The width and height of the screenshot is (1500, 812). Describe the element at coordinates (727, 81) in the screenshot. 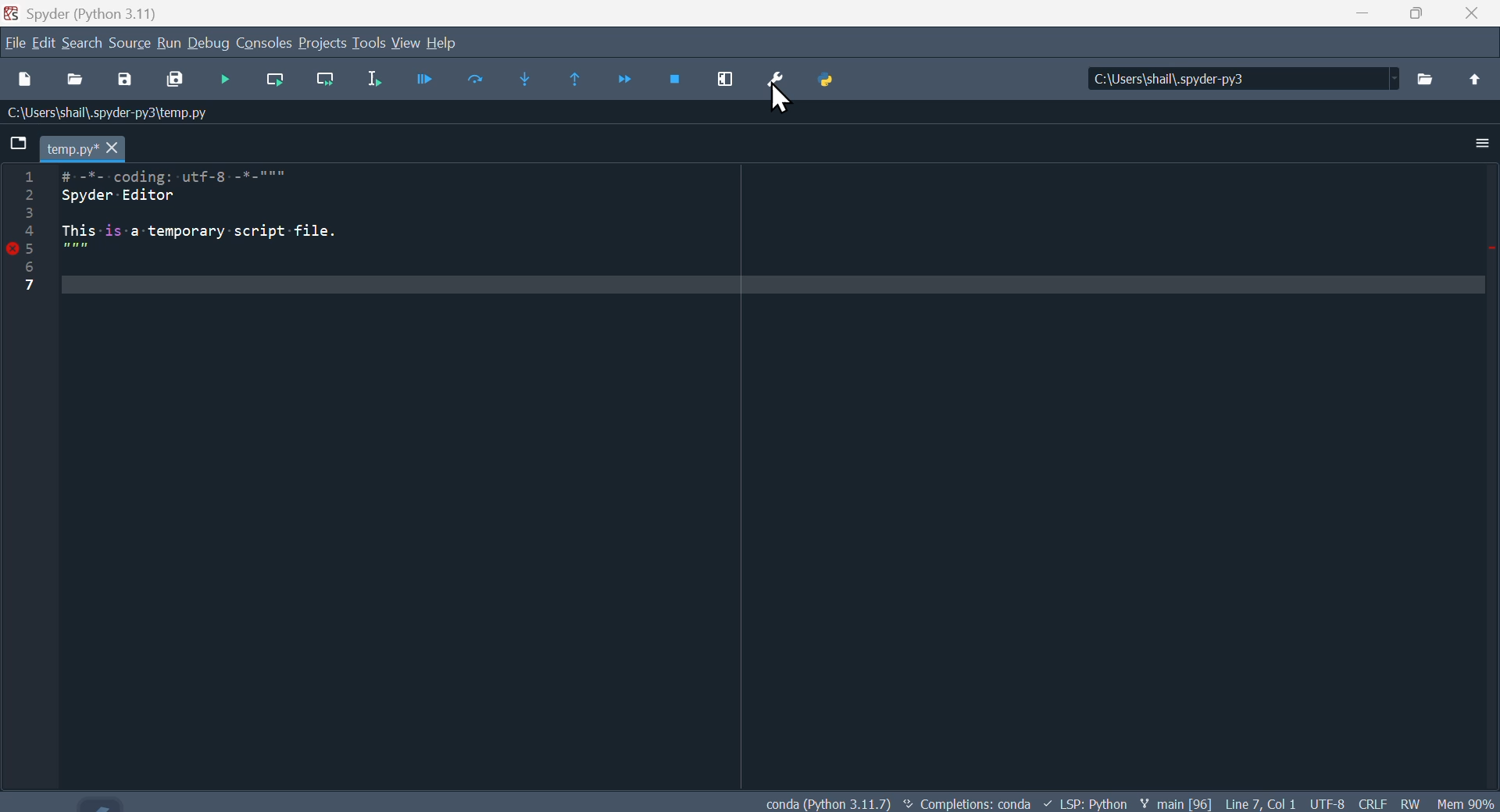

I see `Maximise current window` at that location.